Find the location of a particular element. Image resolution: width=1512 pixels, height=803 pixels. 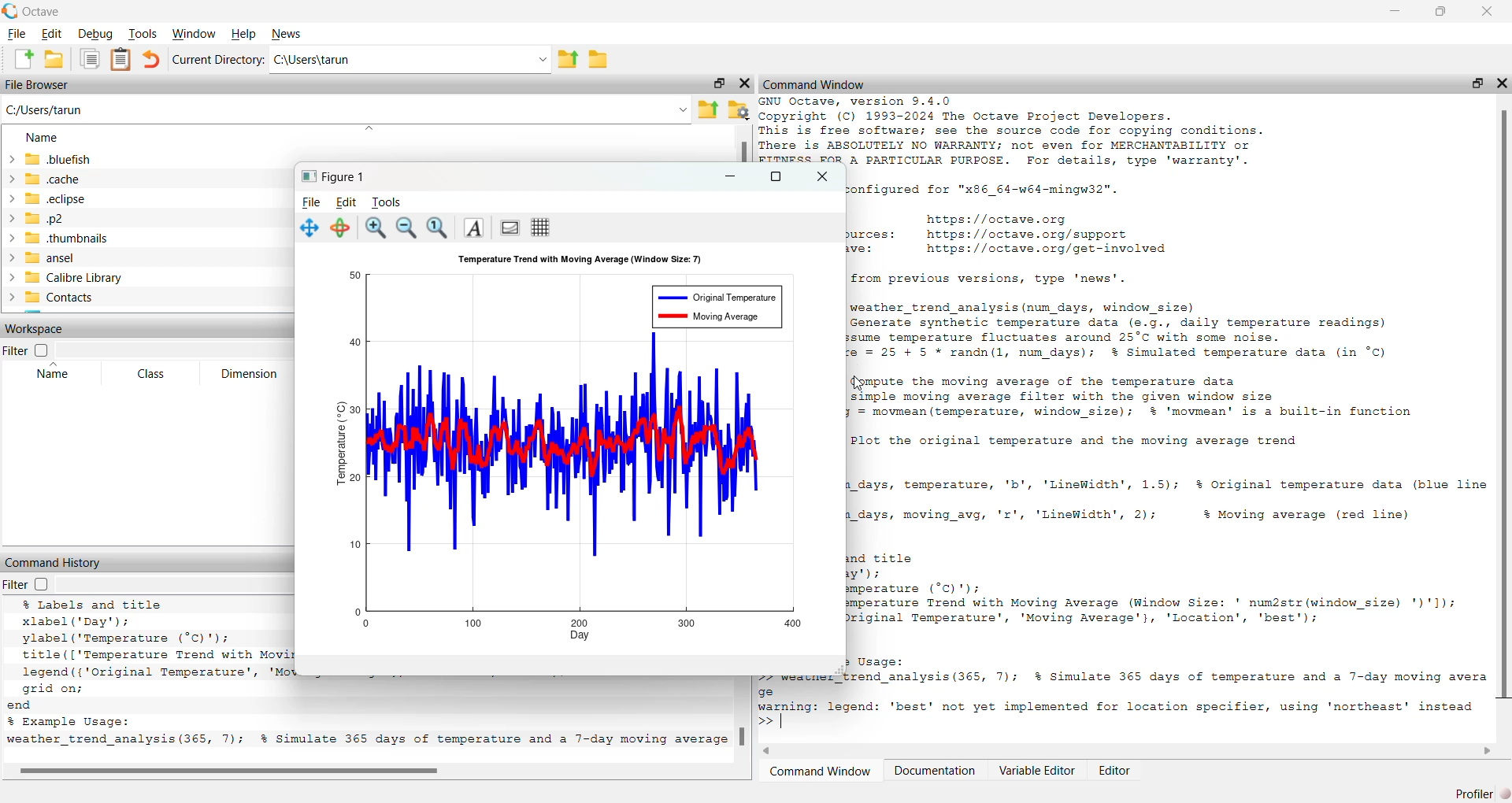

Search  is located at coordinates (439, 229).